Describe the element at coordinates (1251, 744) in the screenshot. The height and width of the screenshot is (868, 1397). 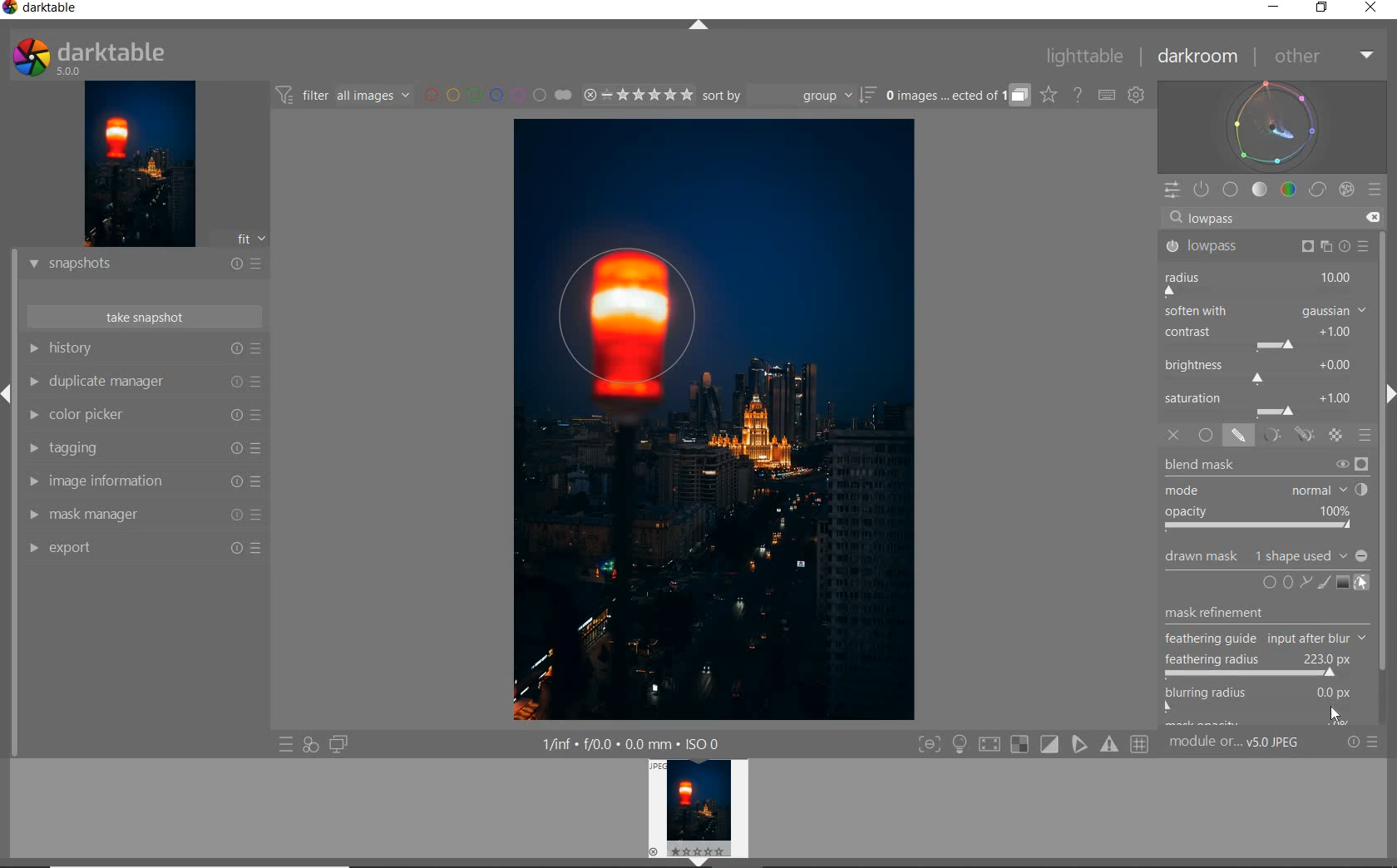
I see `MODULE...v5.0 JPEG` at that location.